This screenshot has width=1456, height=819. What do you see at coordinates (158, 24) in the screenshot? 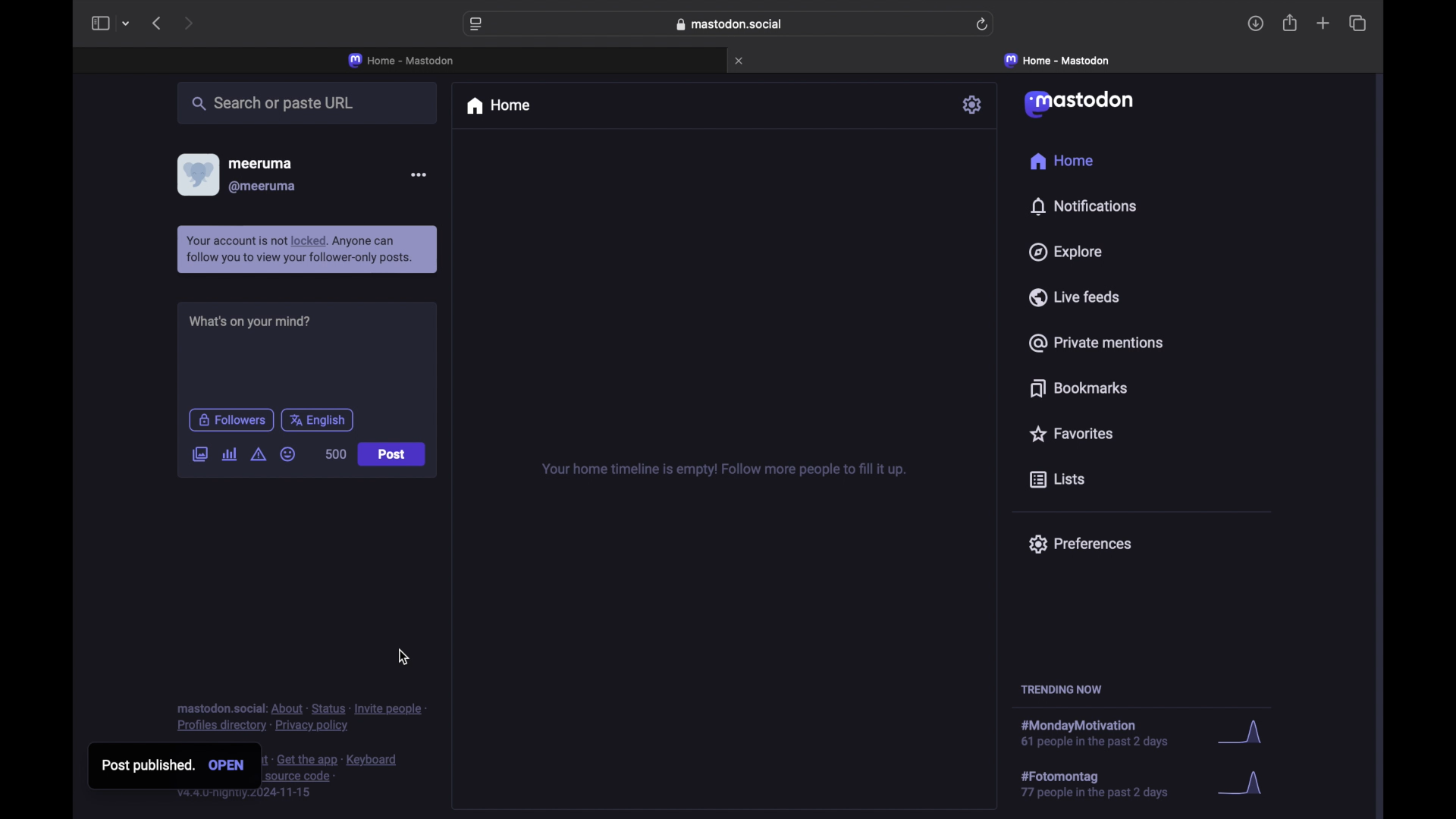
I see `previous` at bounding box center [158, 24].